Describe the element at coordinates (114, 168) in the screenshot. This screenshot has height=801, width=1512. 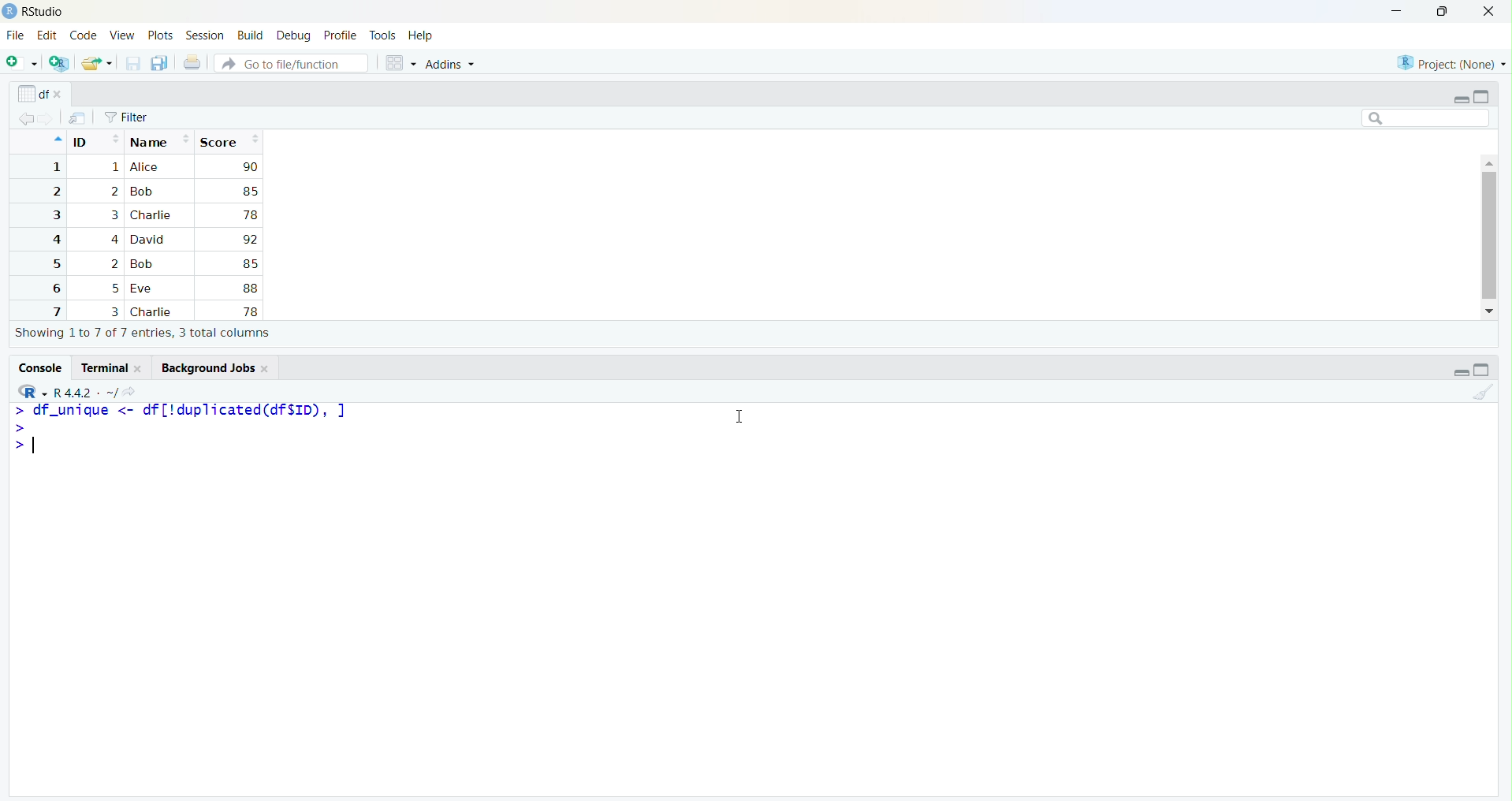
I see `1` at that location.